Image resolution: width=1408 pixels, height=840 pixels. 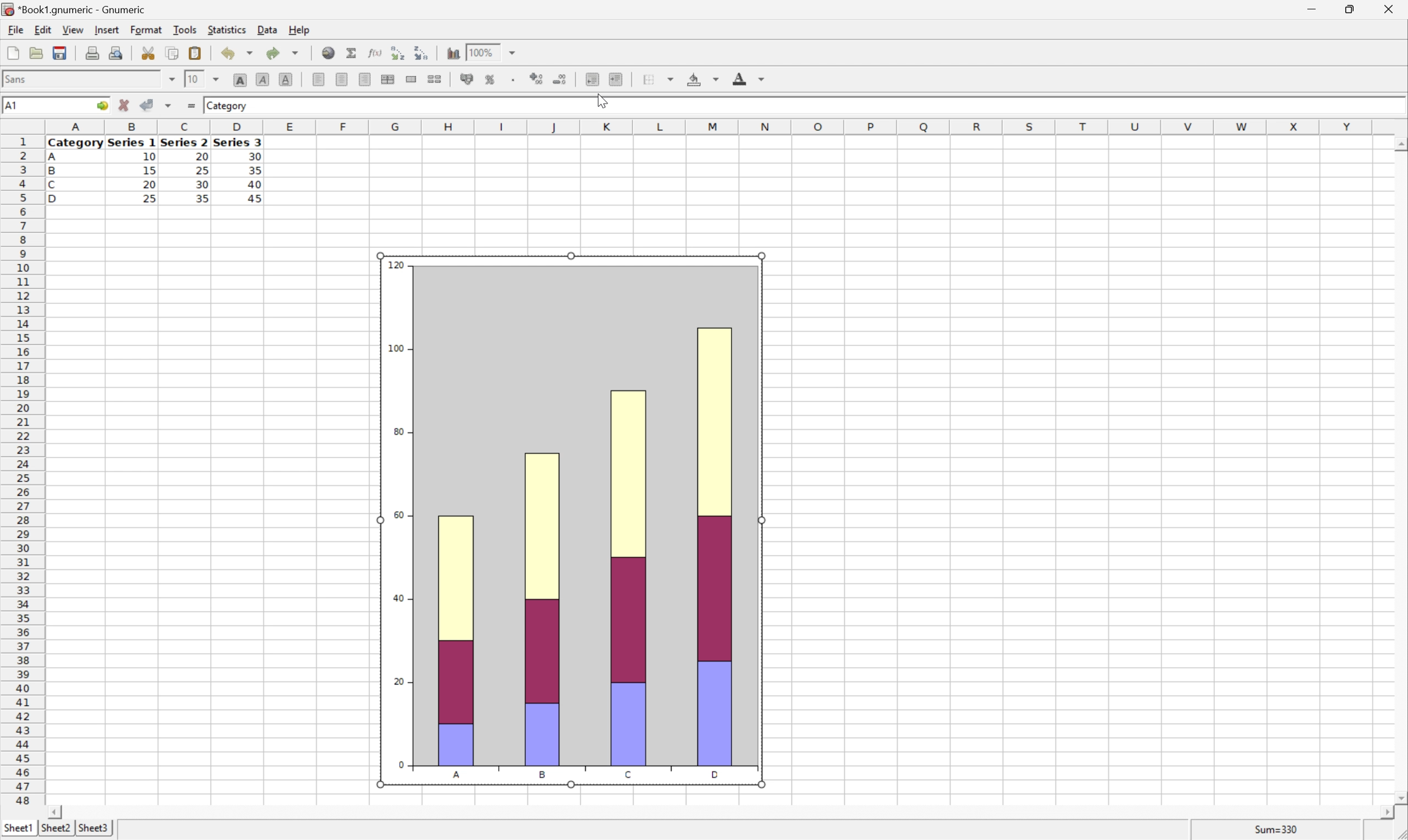 I want to click on 25, so click(x=203, y=170).